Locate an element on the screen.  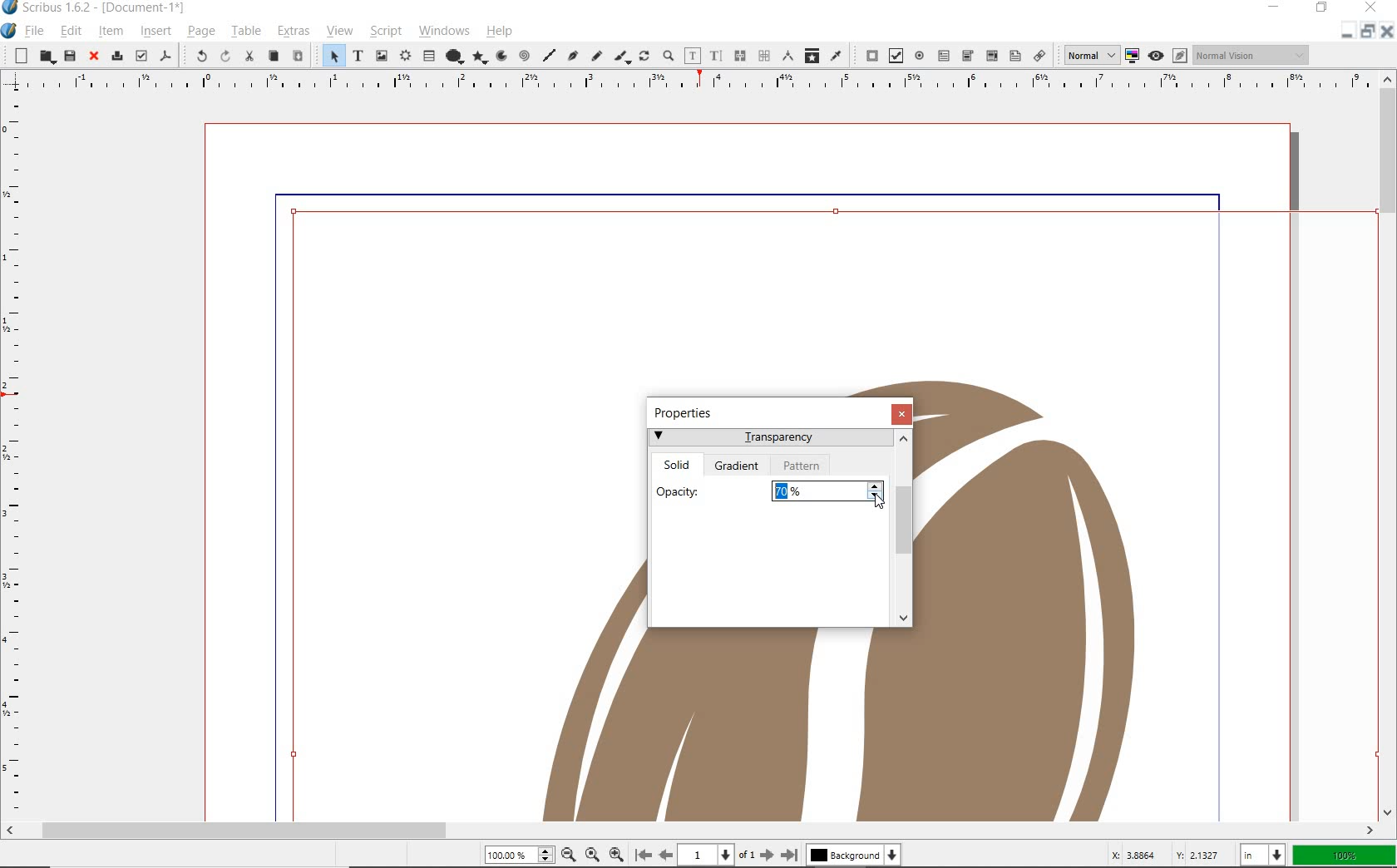
restore down is located at coordinates (1348, 30).